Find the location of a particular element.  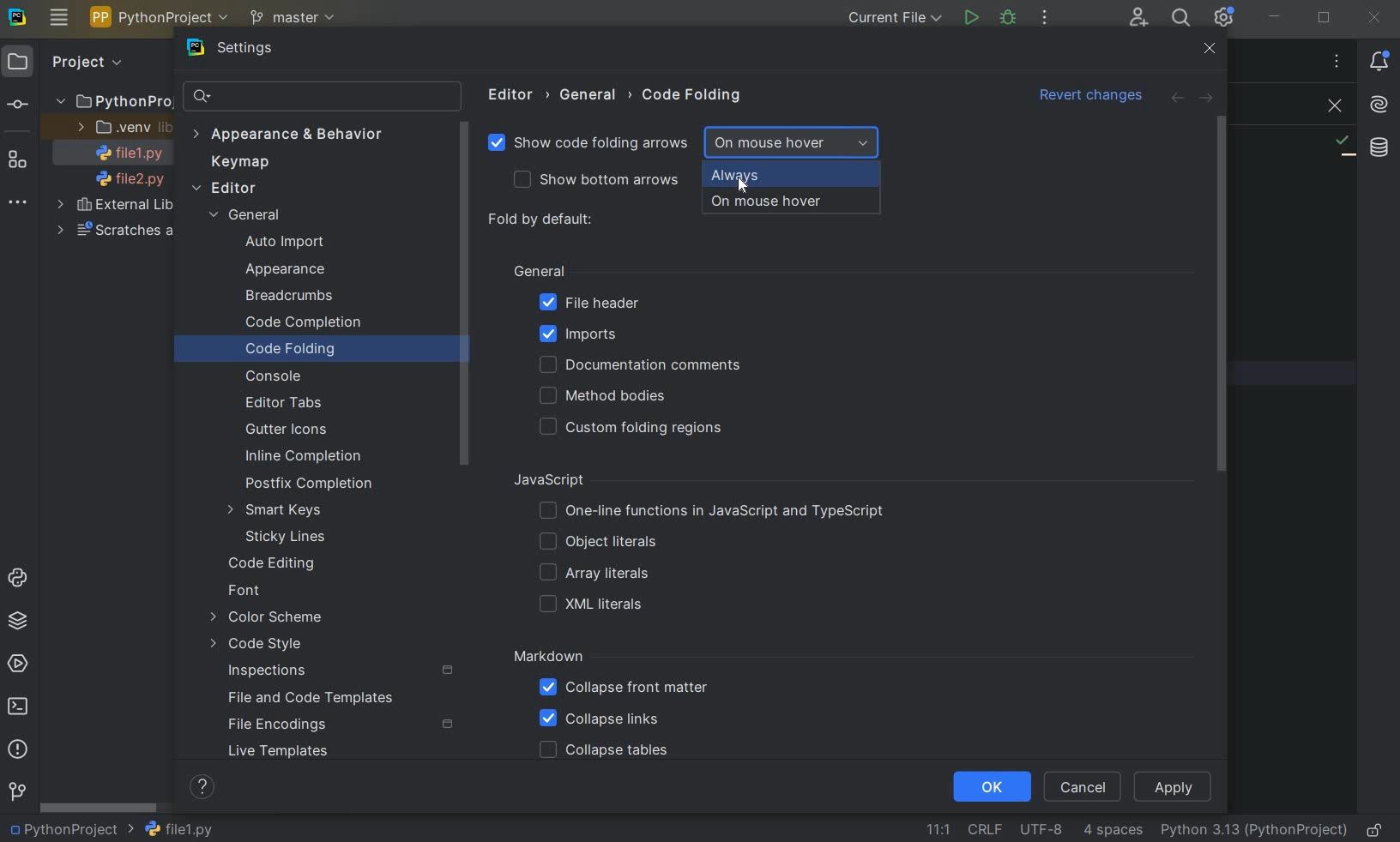

RUN is located at coordinates (970, 17).